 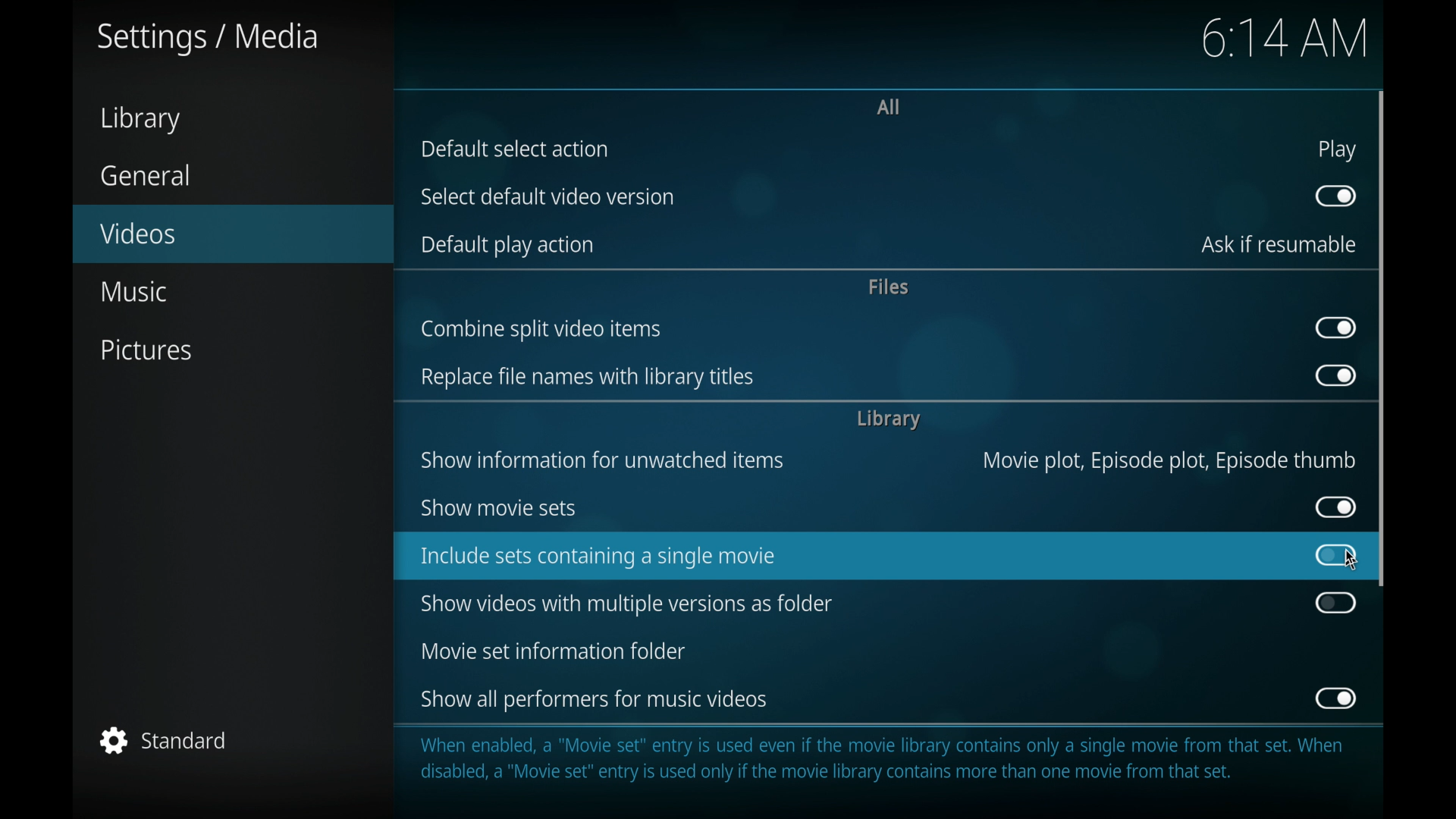 I want to click on play, so click(x=1337, y=150).